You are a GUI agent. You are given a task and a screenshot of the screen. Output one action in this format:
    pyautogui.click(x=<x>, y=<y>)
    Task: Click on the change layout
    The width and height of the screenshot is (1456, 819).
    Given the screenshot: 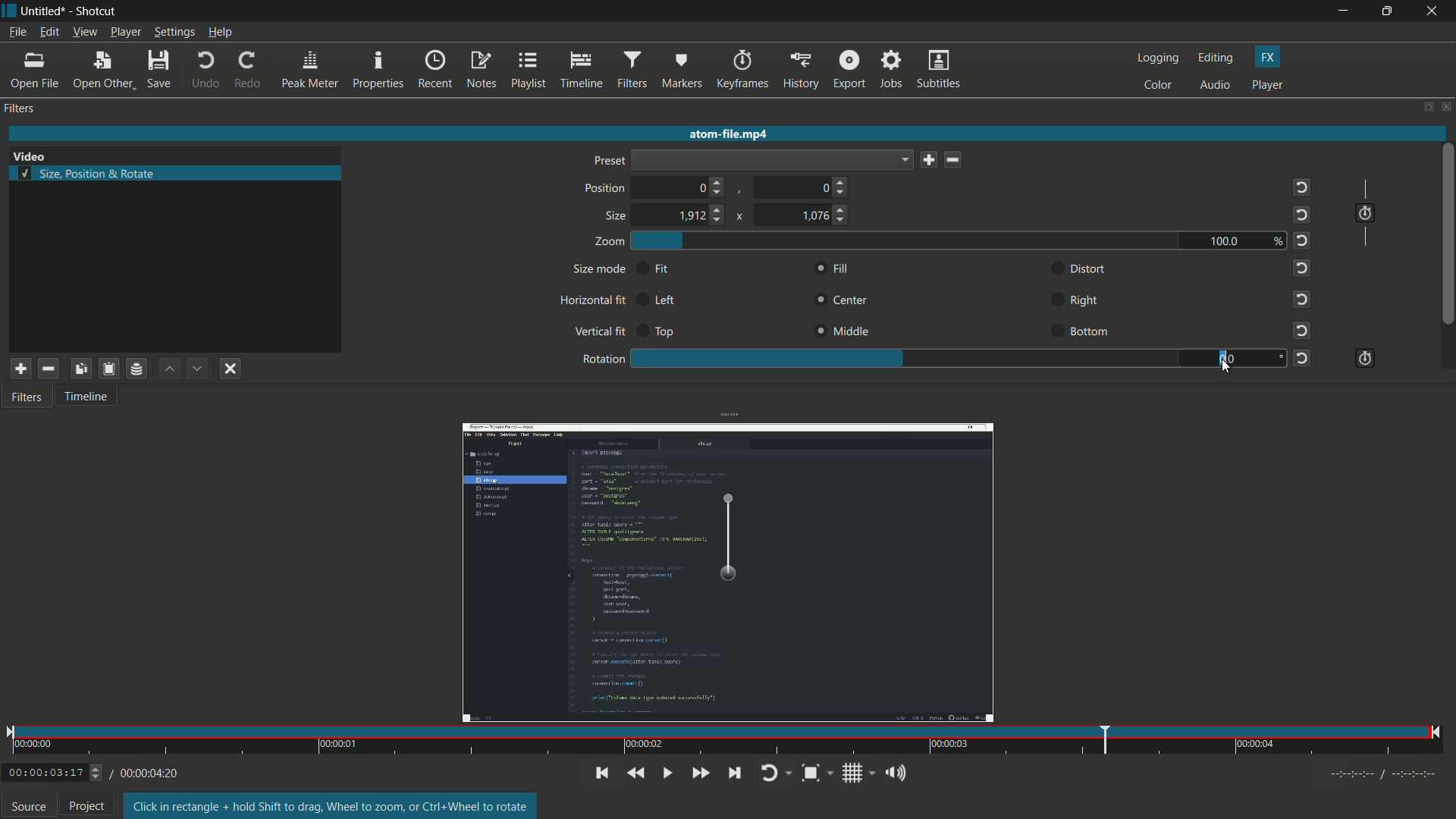 What is the action you would take?
    pyautogui.click(x=1423, y=105)
    